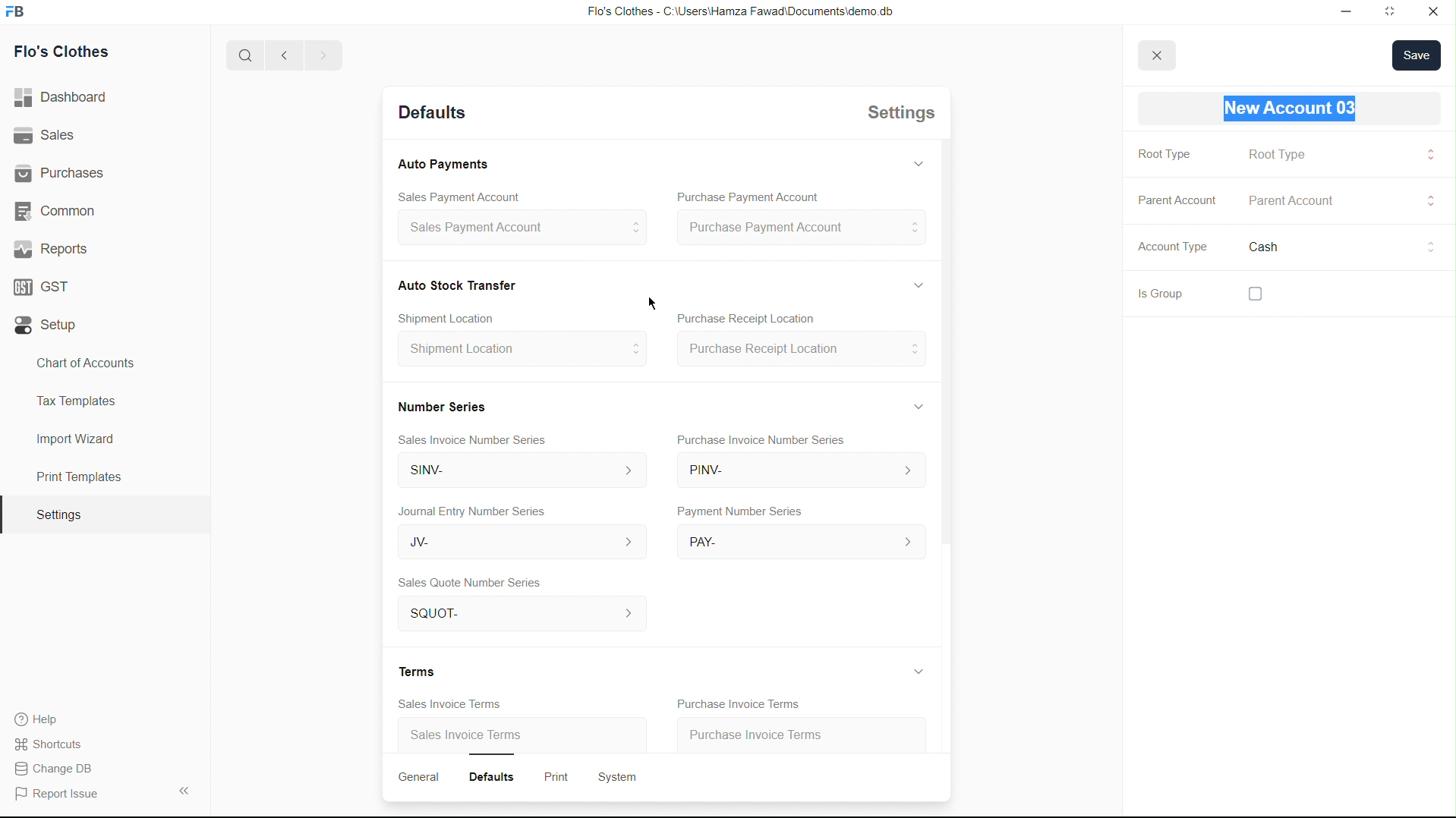  I want to click on PAY-, so click(801, 540).